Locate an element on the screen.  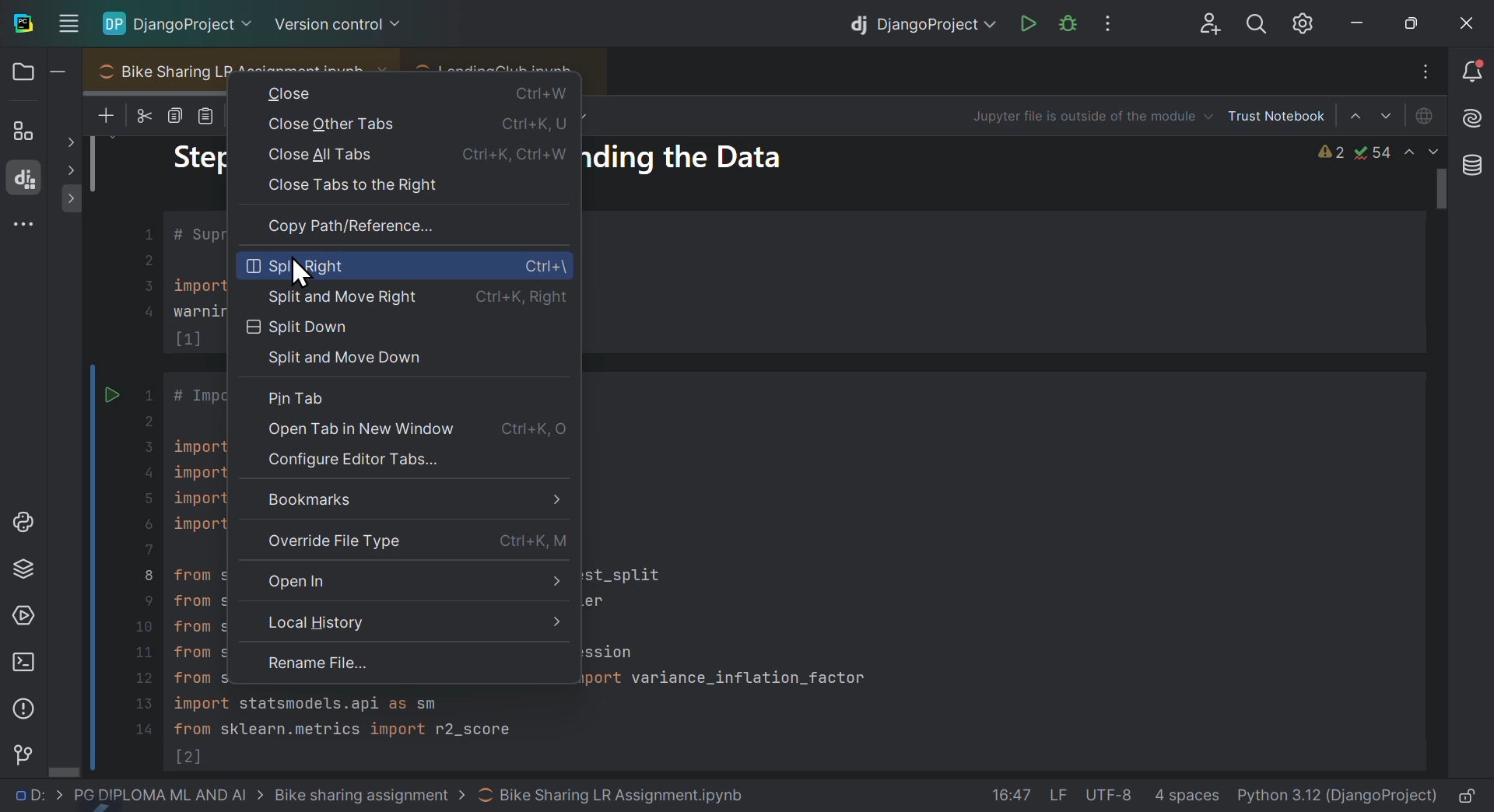
Split down is located at coordinates (344, 330).